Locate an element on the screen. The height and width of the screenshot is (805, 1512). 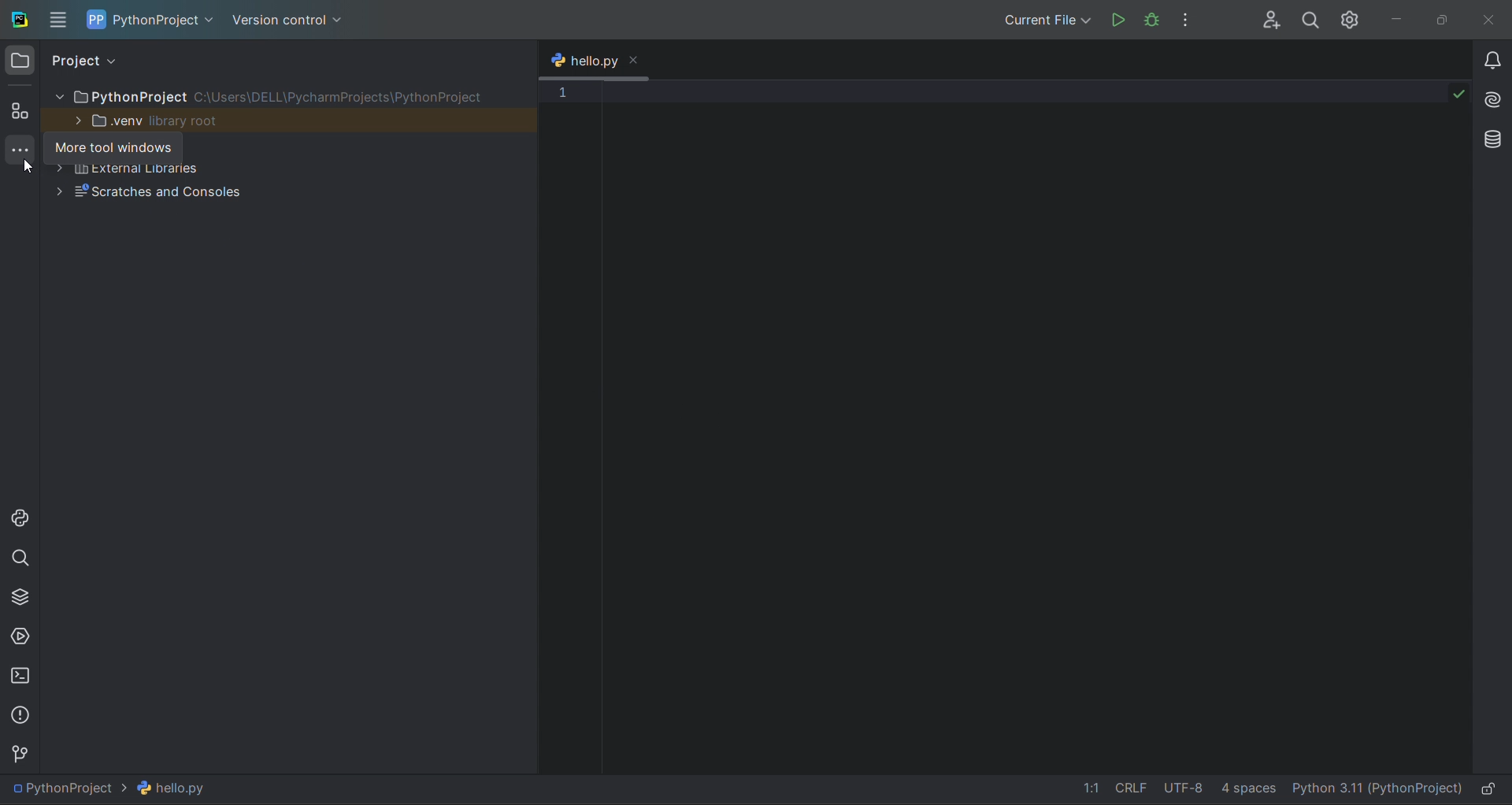
Scratches and Consoles is located at coordinates (161, 193).